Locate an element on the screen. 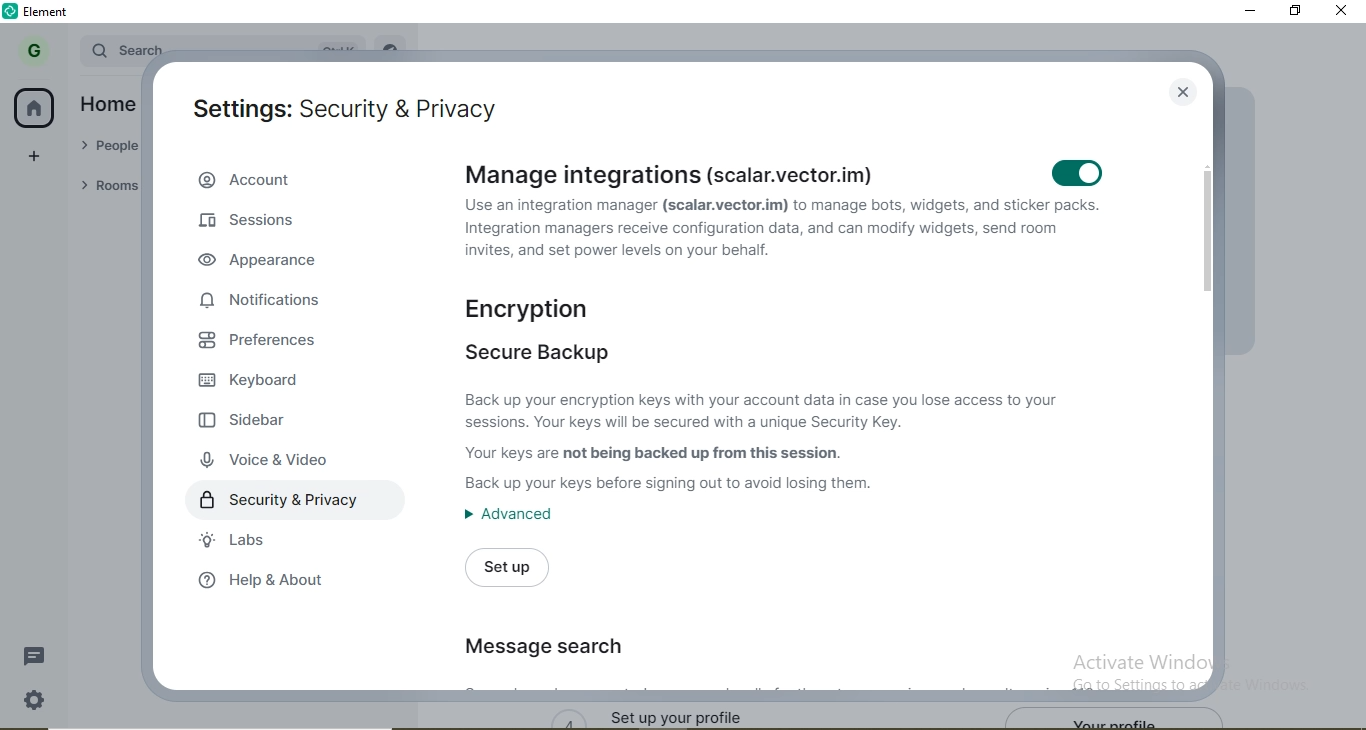  Account is located at coordinates (299, 180).